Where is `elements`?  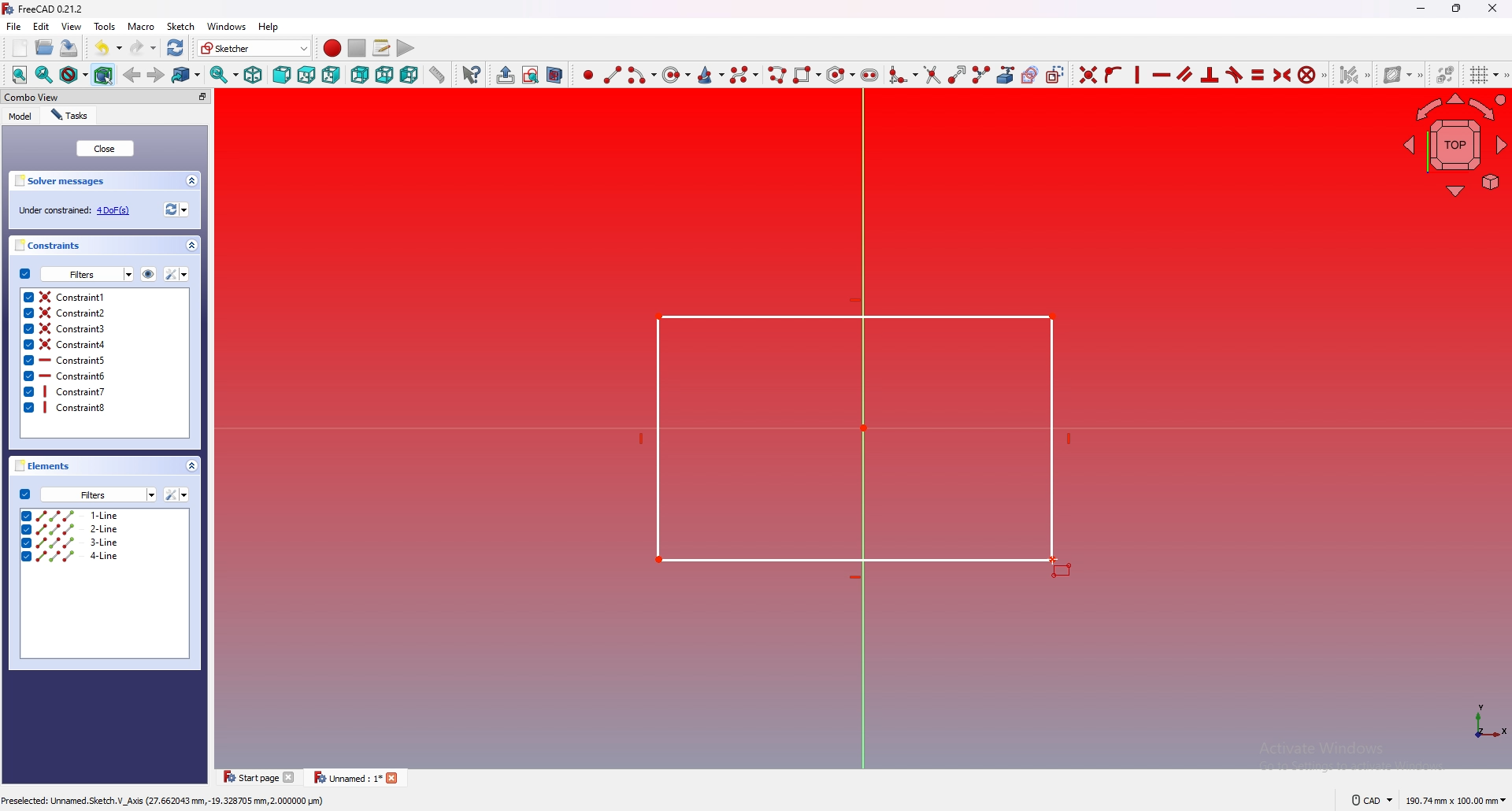
elements is located at coordinates (39, 465).